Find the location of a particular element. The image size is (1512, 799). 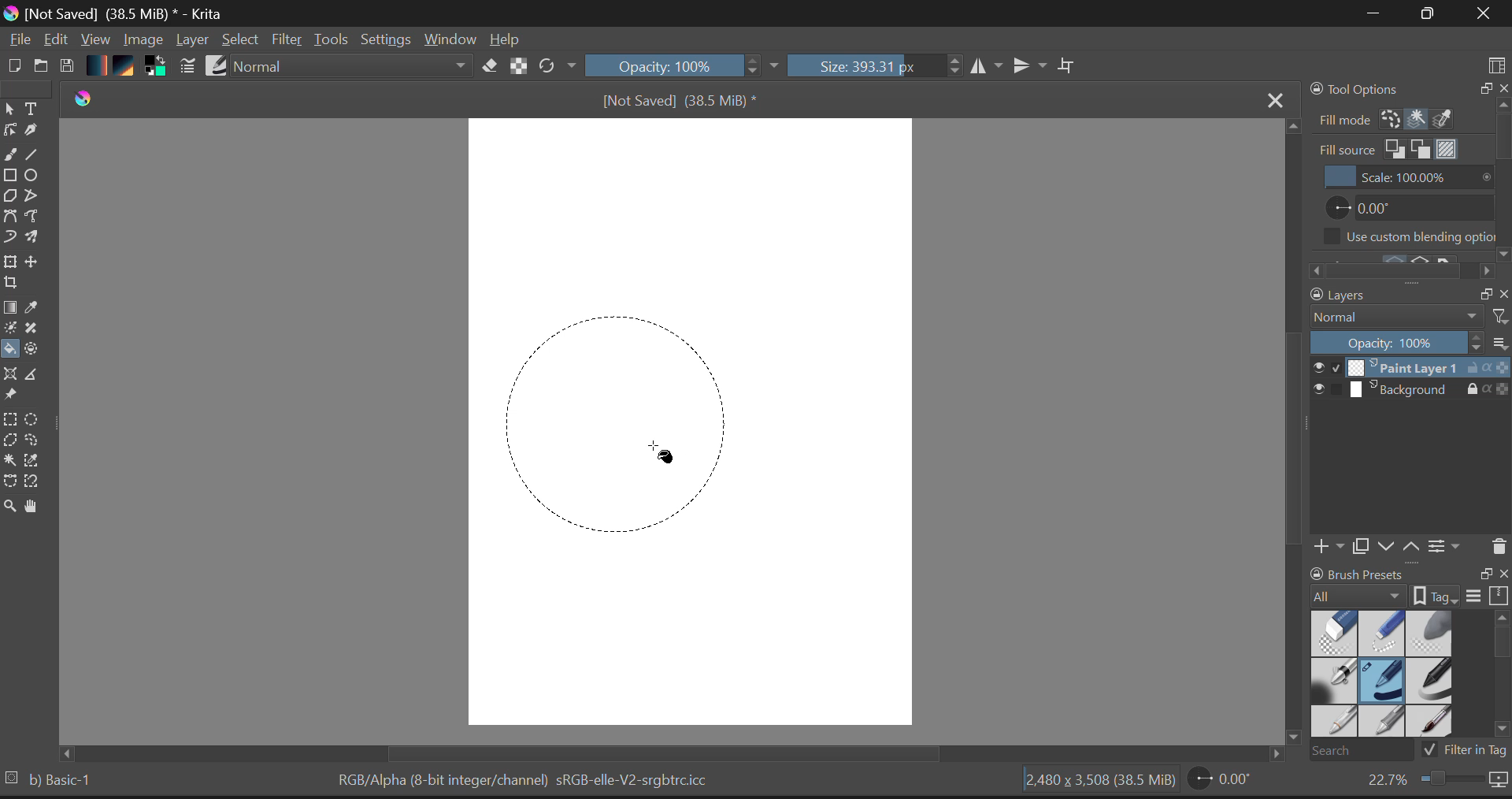

Scroll Bar is located at coordinates (679, 753).